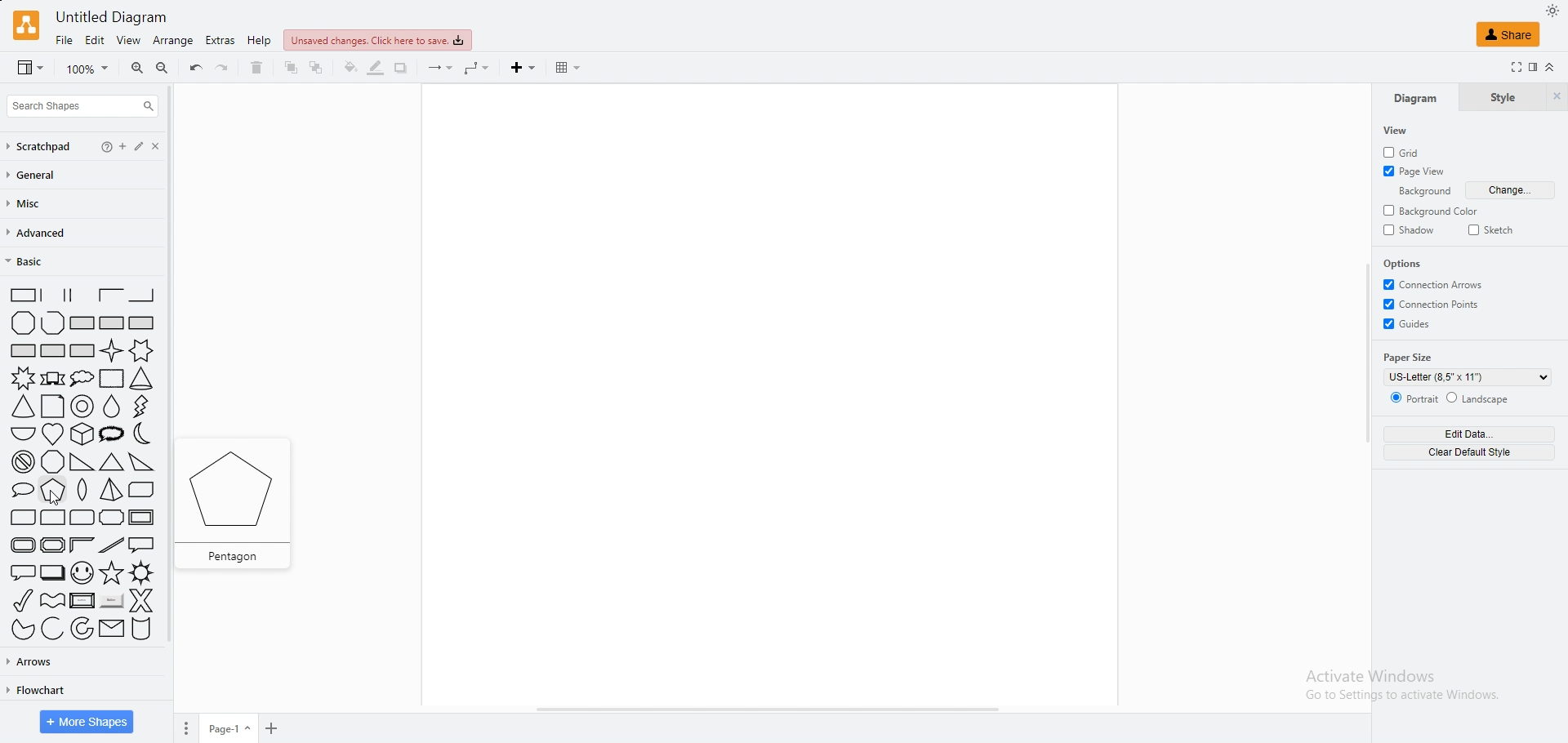  What do you see at coordinates (52, 572) in the screenshot?
I see `layered rectangle` at bounding box center [52, 572].